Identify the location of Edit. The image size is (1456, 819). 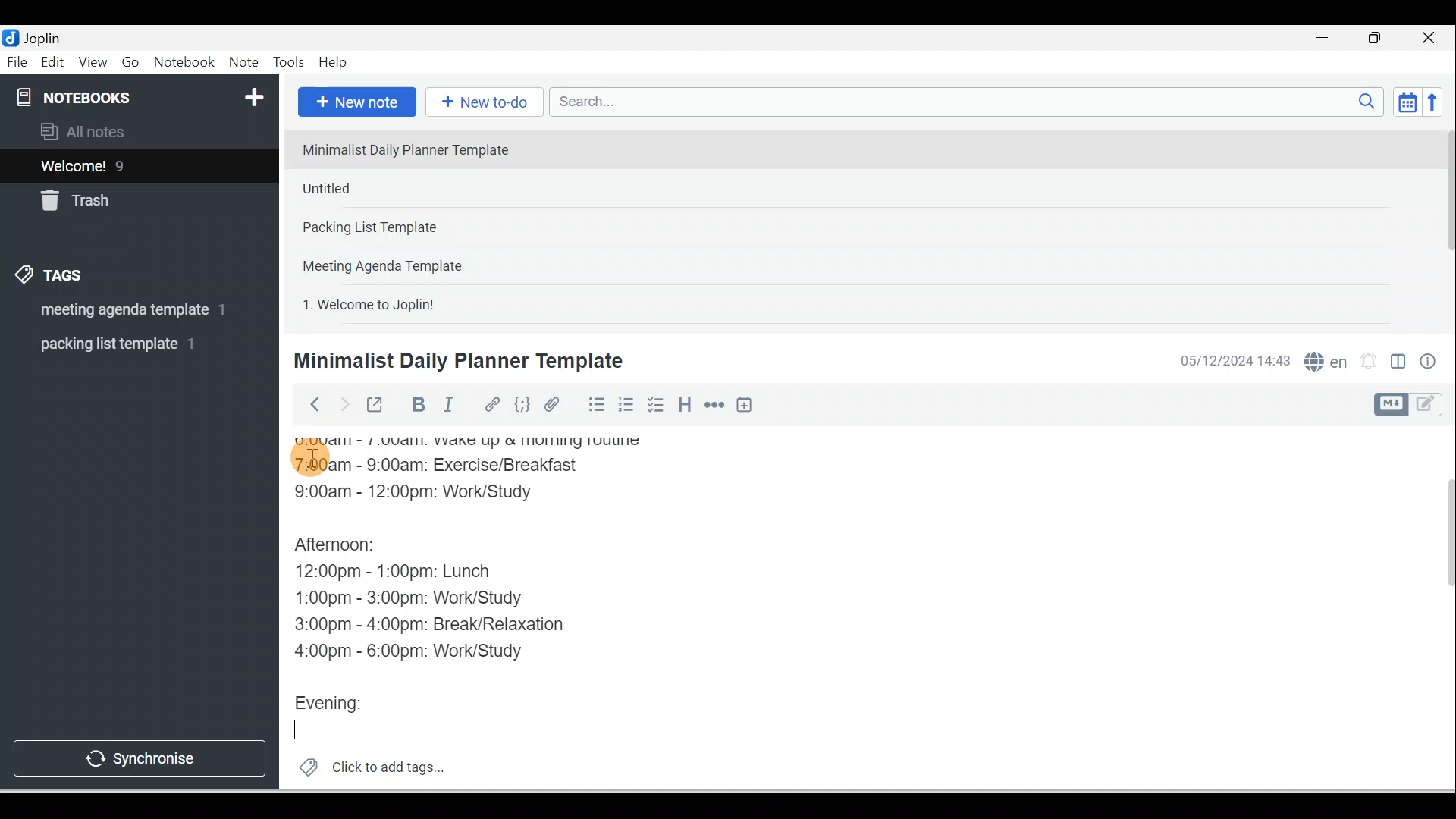
(54, 63).